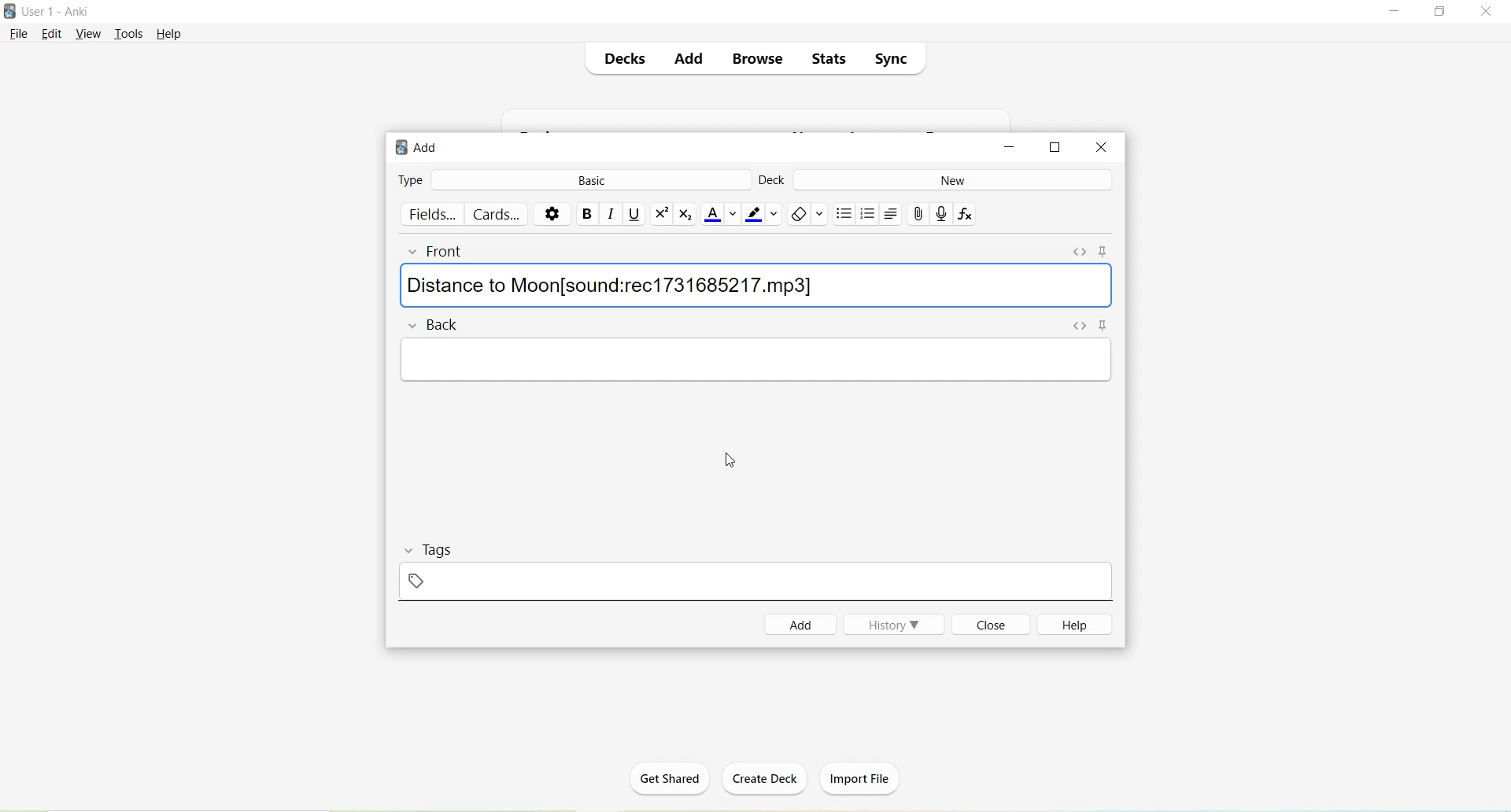 The image size is (1511, 812). Describe the element at coordinates (686, 60) in the screenshot. I see `Add` at that location.